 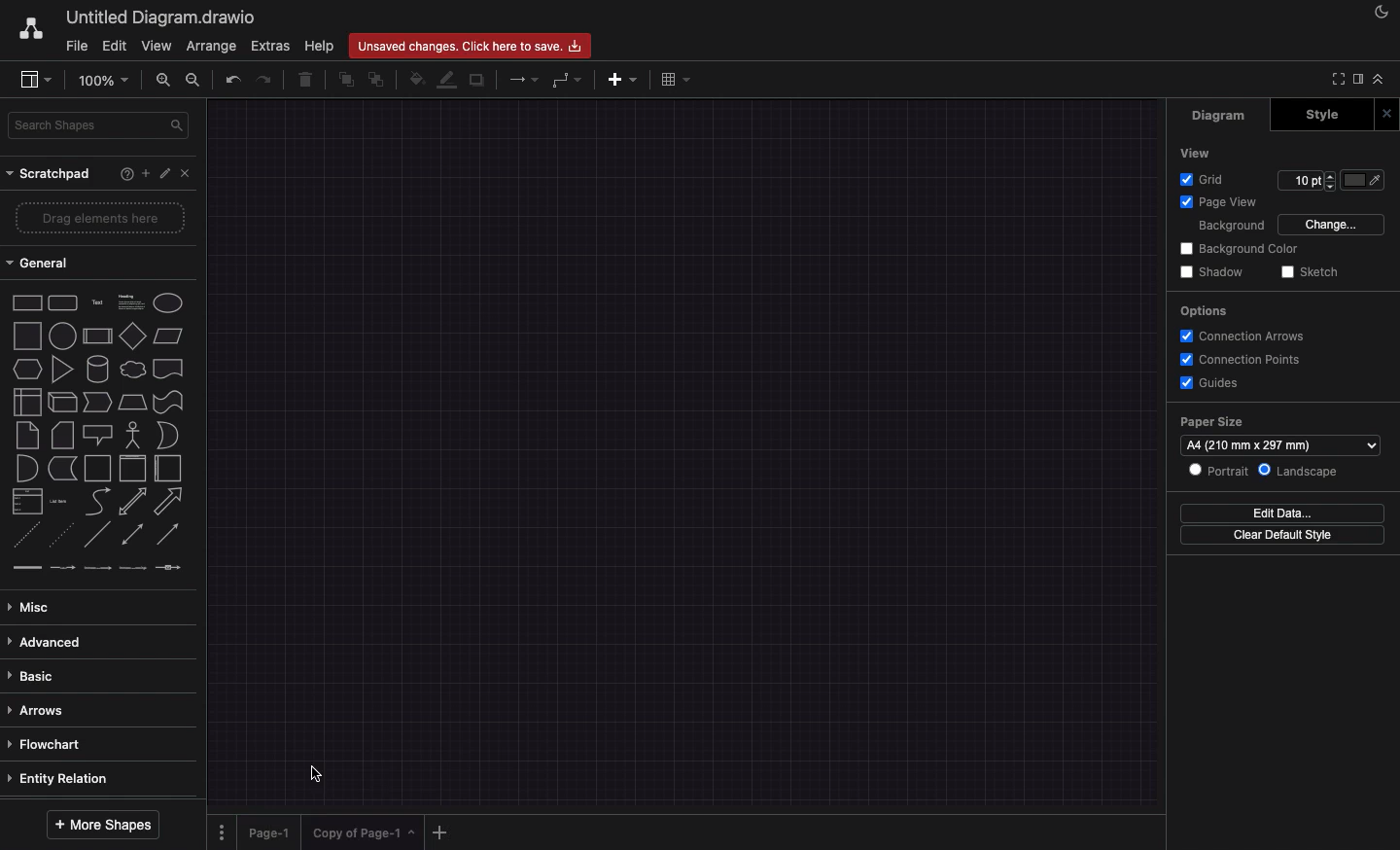 I want to click on more shapes, so click(x=100, y=826).